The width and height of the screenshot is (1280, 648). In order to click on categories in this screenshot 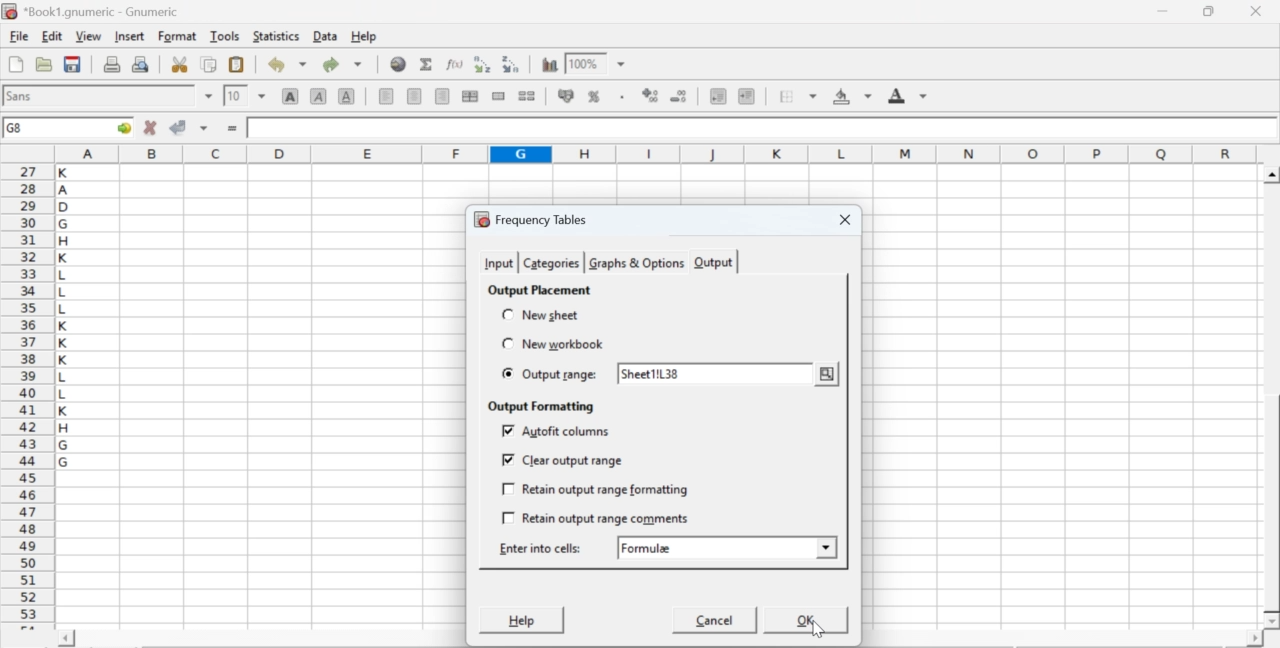, I will do `click(550, 263)`.